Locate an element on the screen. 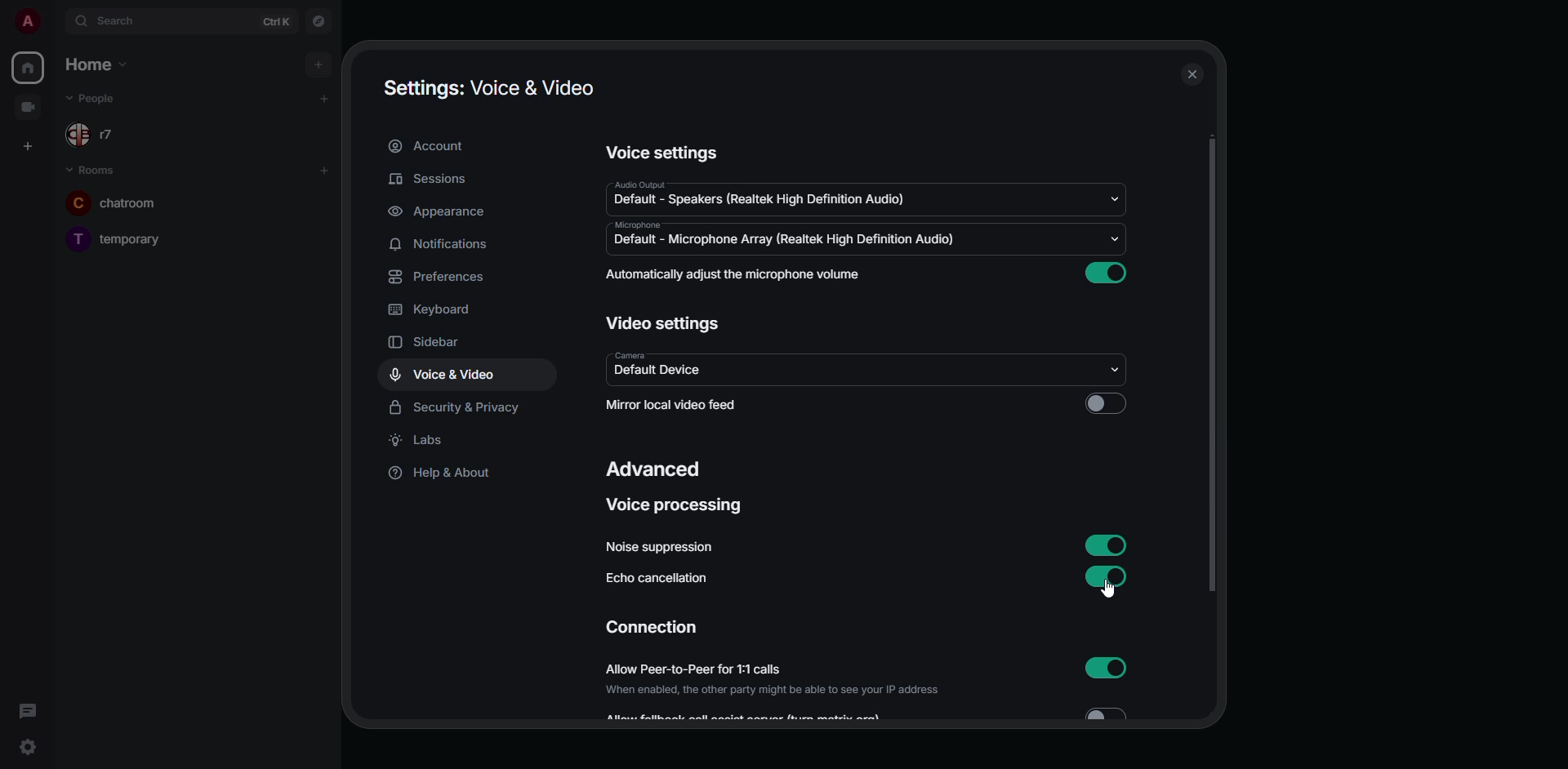 This screenshot has width=1568, height=769. toggle is located at coordinates (1104, 711).